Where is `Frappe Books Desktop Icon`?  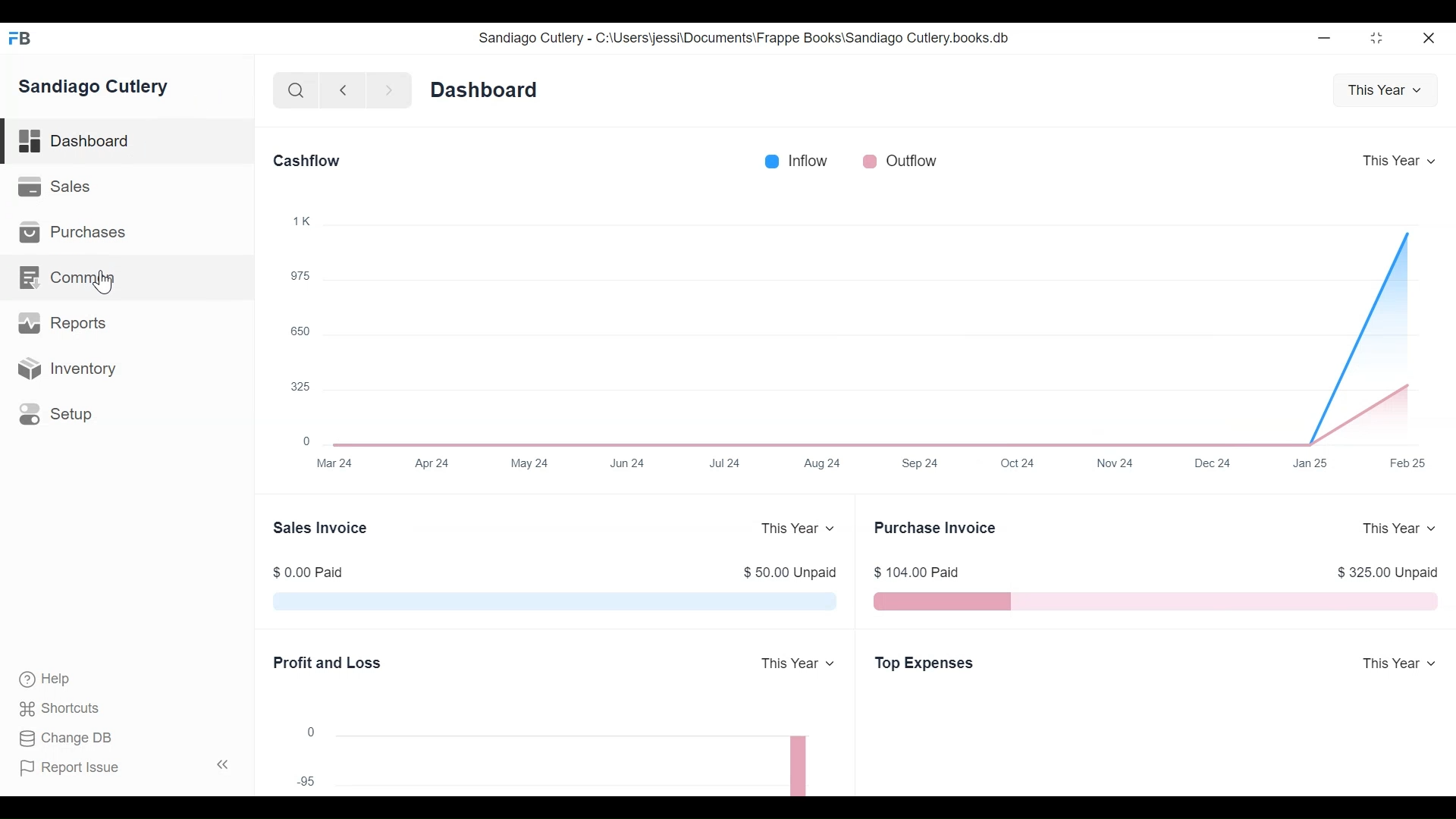
Frappe Books Desktop Icon is located at coordinates (20, 39).